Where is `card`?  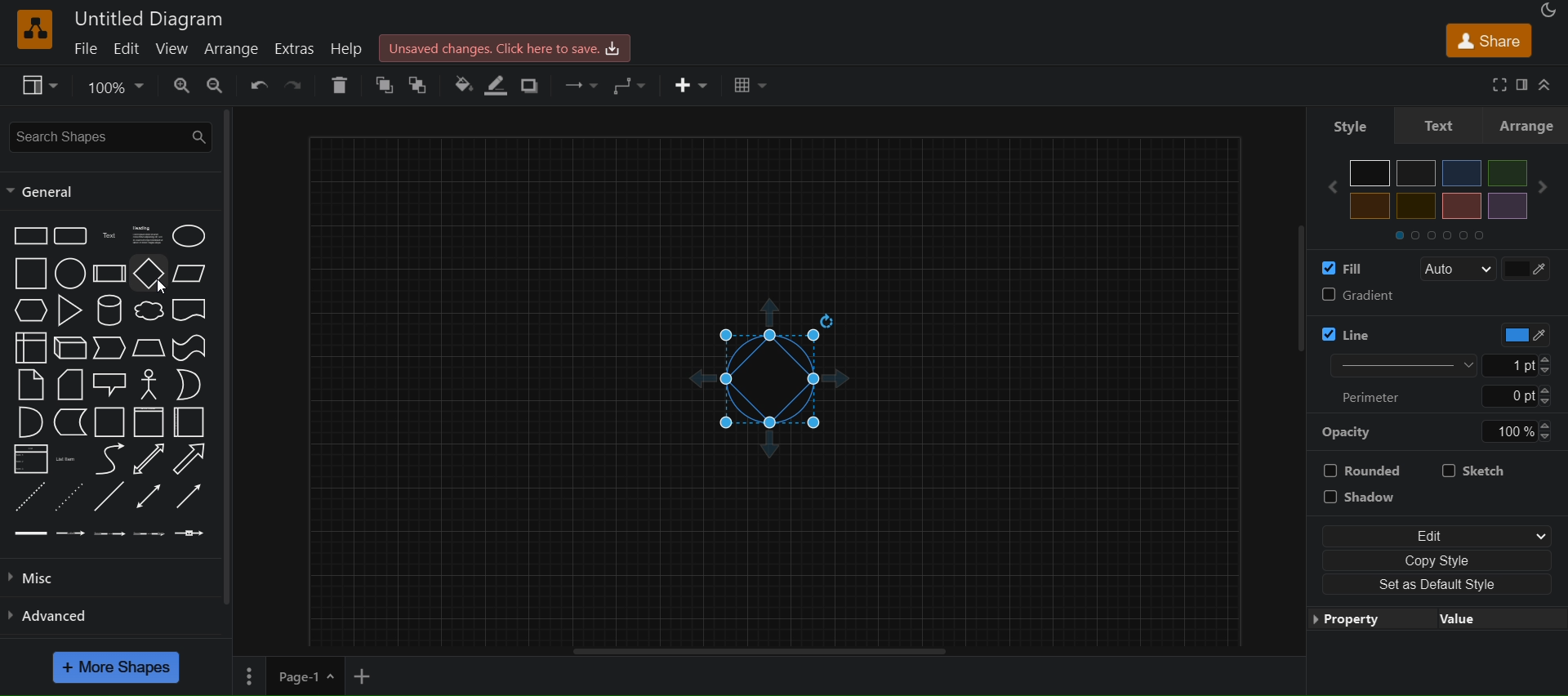
card is located at coordinates (70, 386).